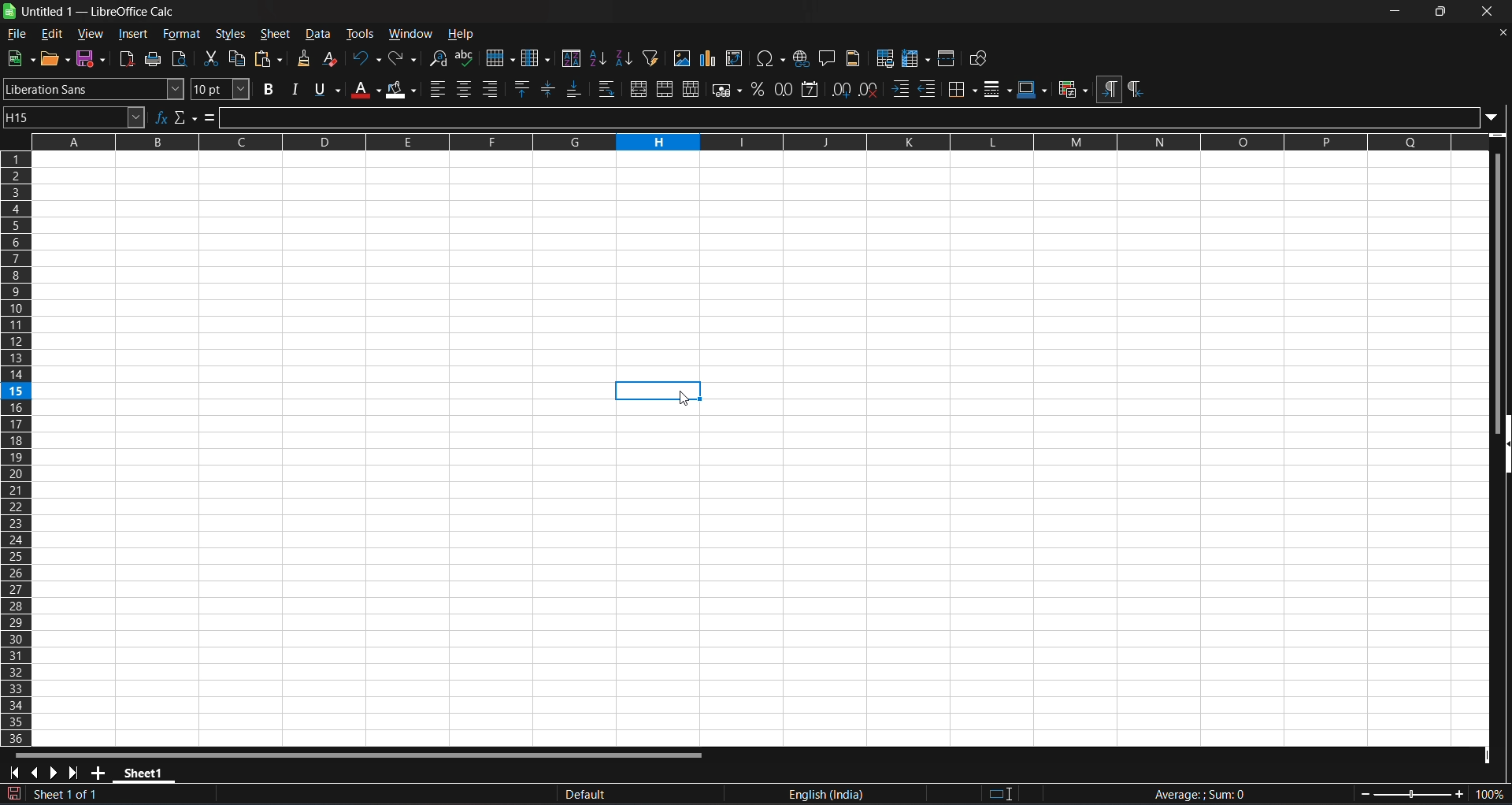 Image resolution: width=1512 pixels, height=805 pixels. What do you see at coordinates (278, 34) in the screenshot?
I see `sheet` at bounding box center [278, 34].